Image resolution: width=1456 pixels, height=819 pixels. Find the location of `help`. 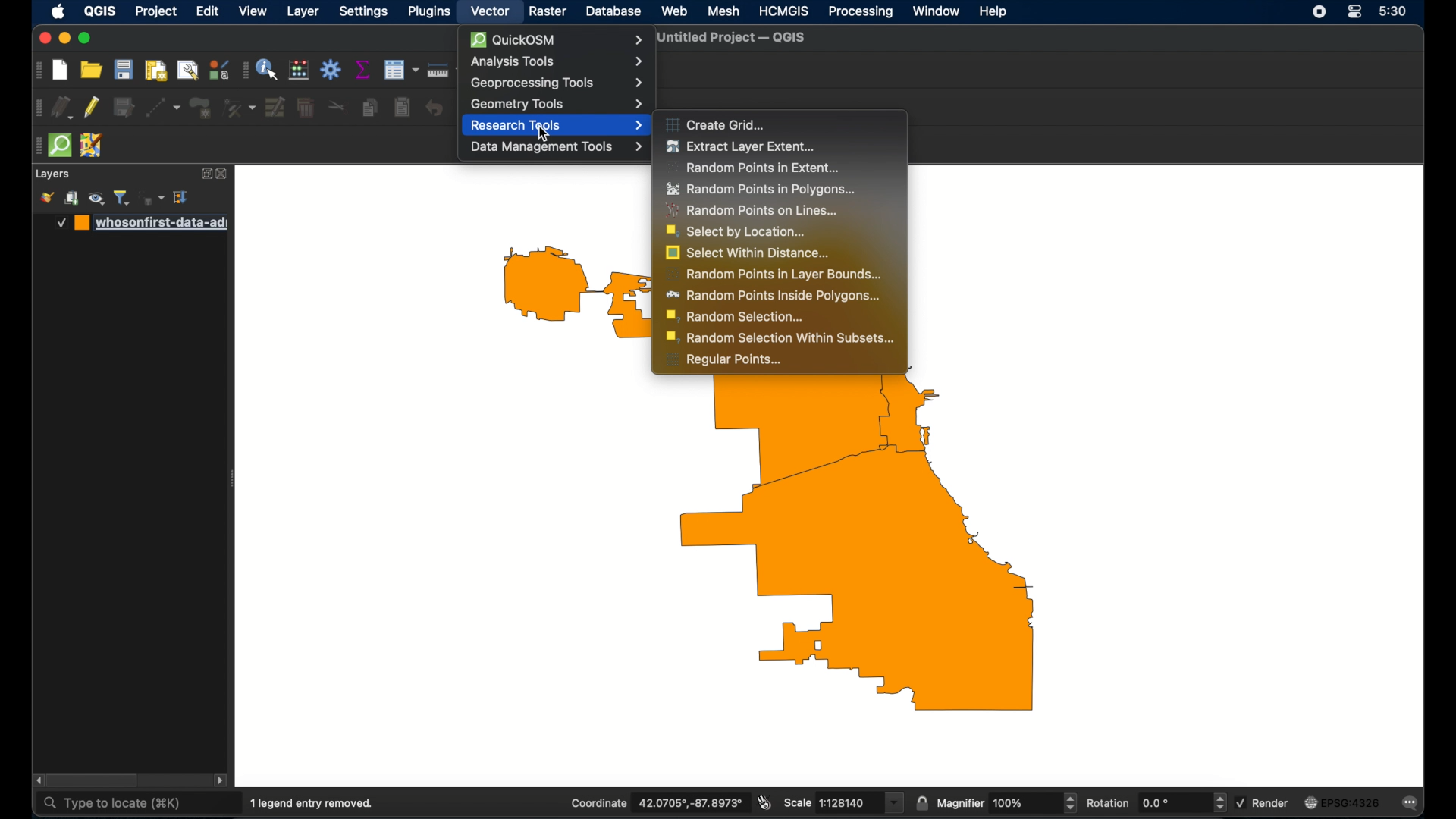

help is located at coordinates (993, 12).